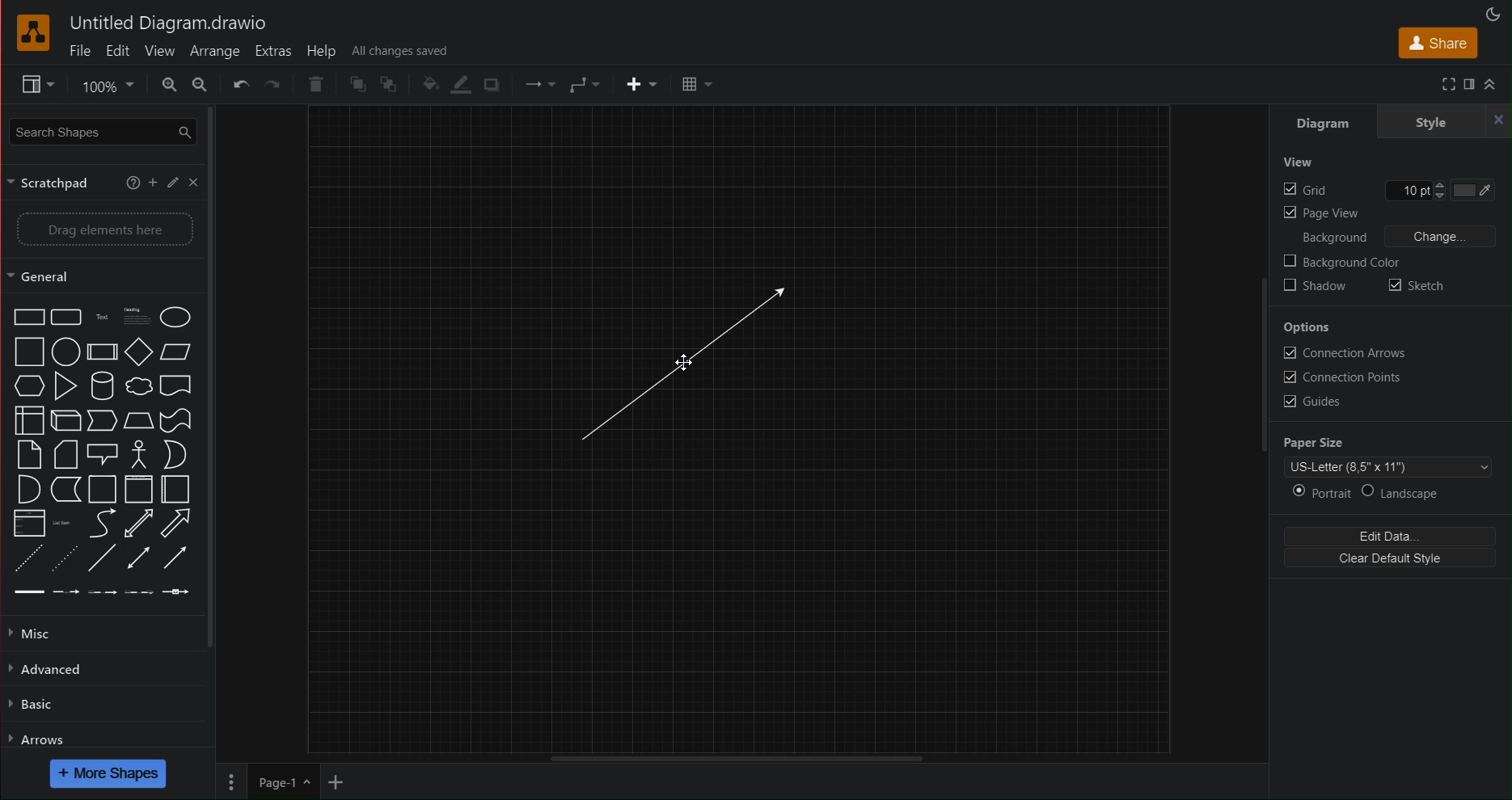 This screenshot has height=800, width=1512. What do you see at coordinates (324, 50) in the screenshot?
I see `Help` at bounding box center [324, 50].